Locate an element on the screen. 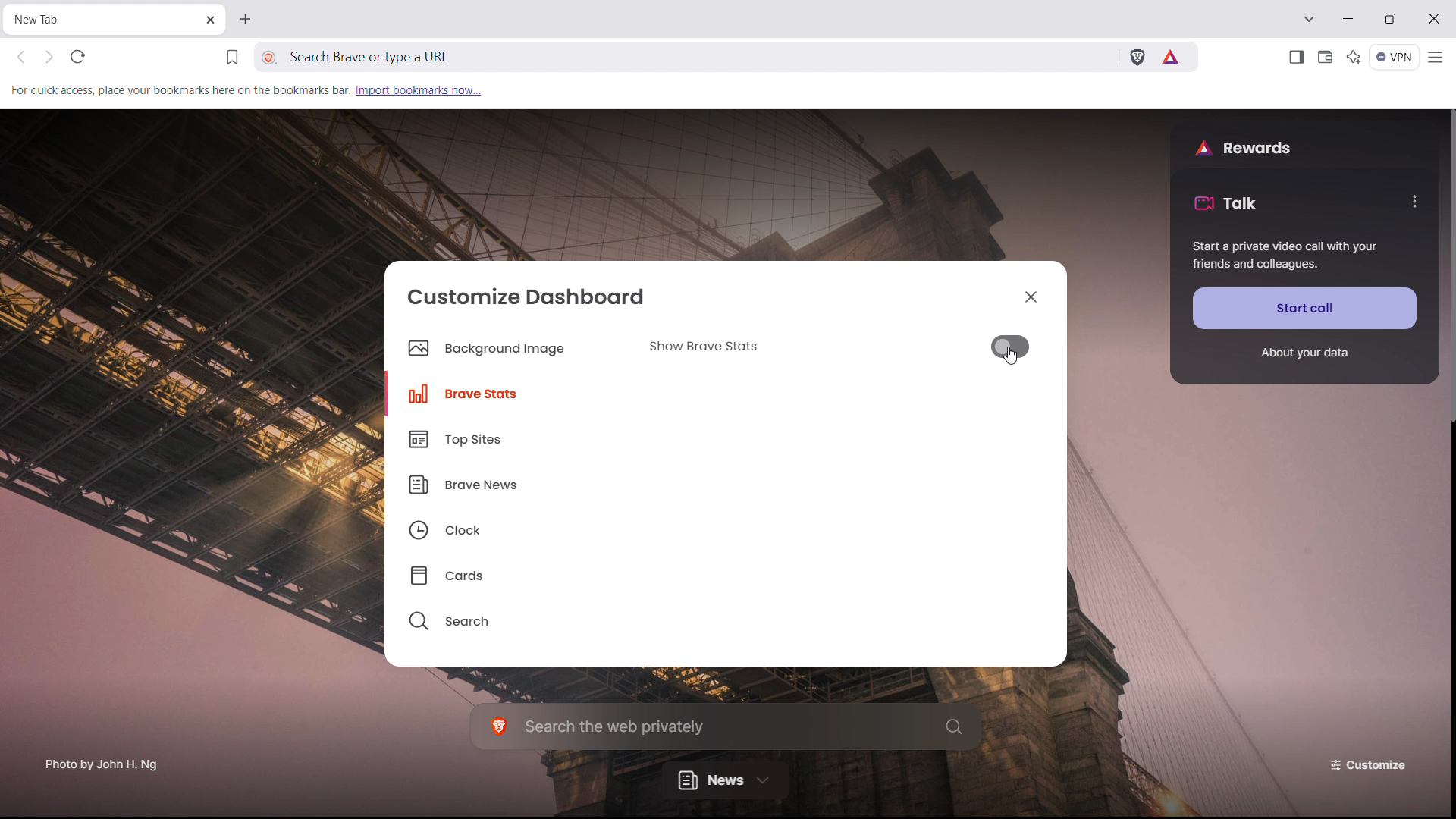 This screenshot has width=1456, height=819. vpn is located at coordinates (1395, 58).